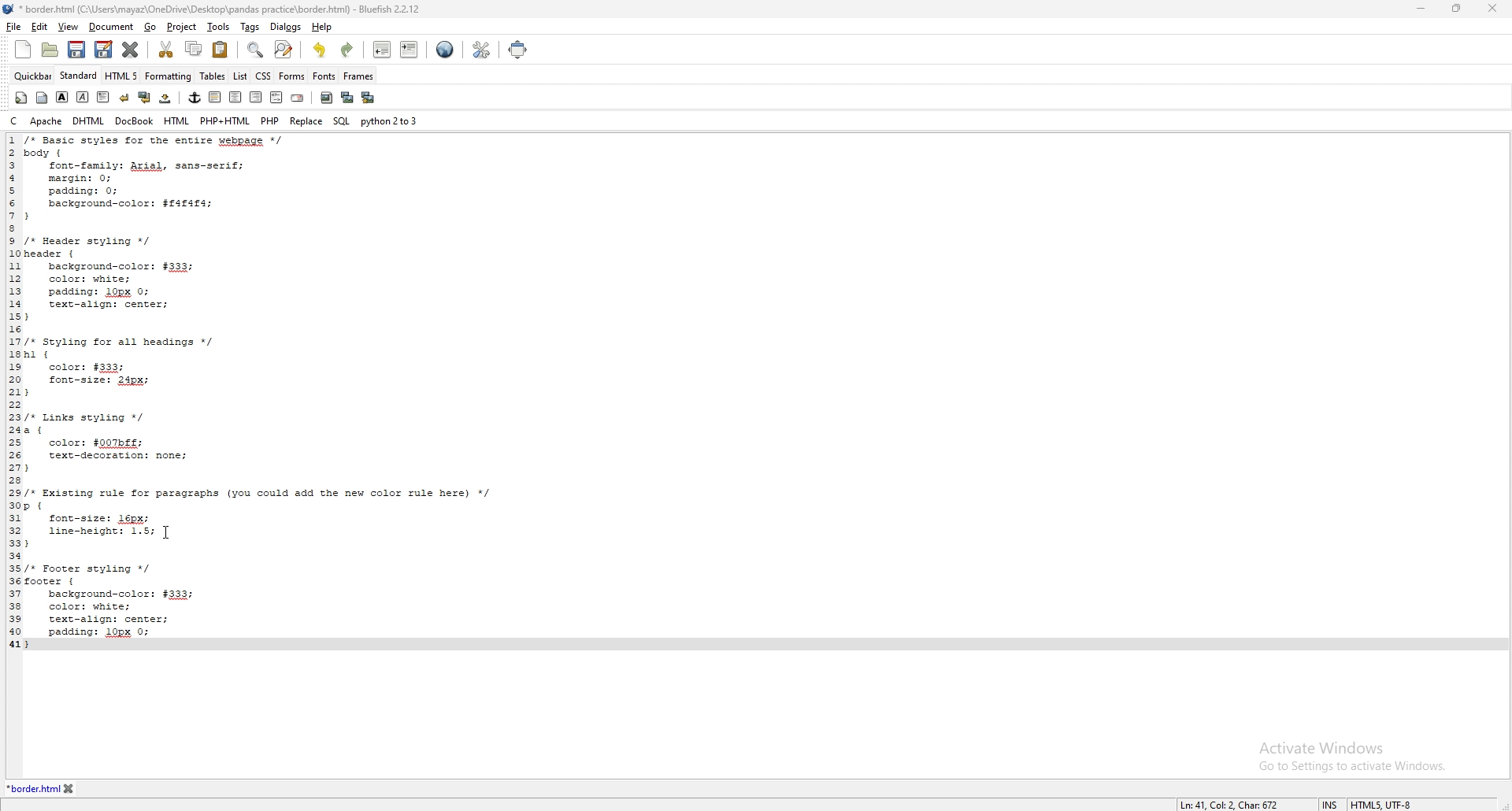 The height and width of the screenshot is (811, 1512). What do you see at coordinates (263, 76) in the screenshot?
I see `css` at bounding box center [263, 76].